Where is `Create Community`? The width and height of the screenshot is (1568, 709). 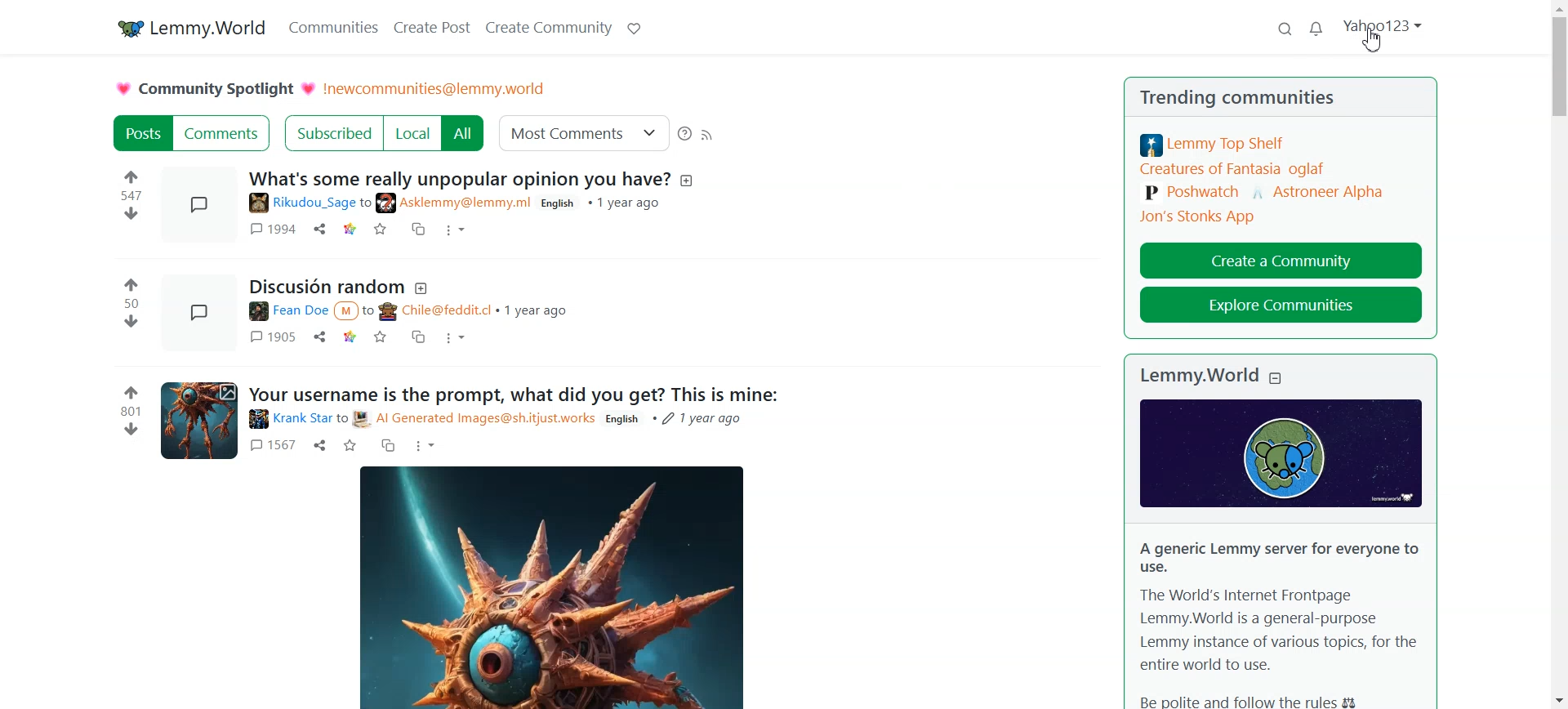
Create Community is located at coordinates (547, 26).